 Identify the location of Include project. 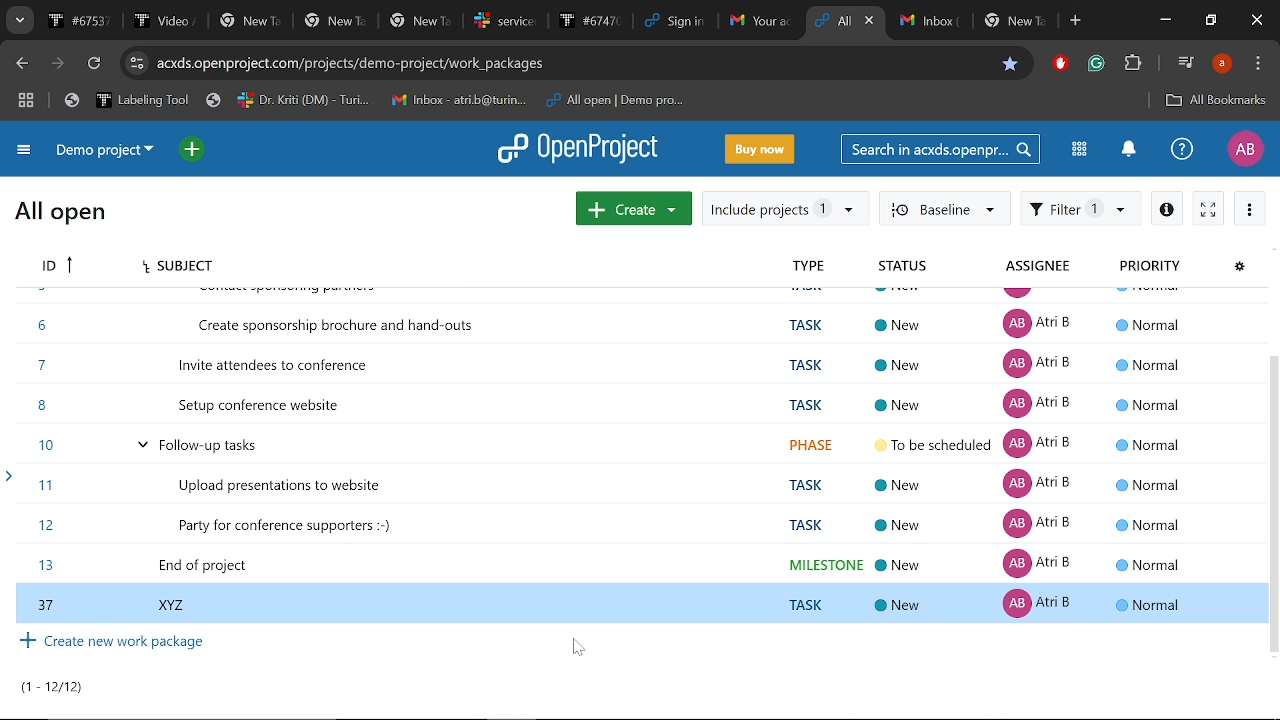
(783, 208).